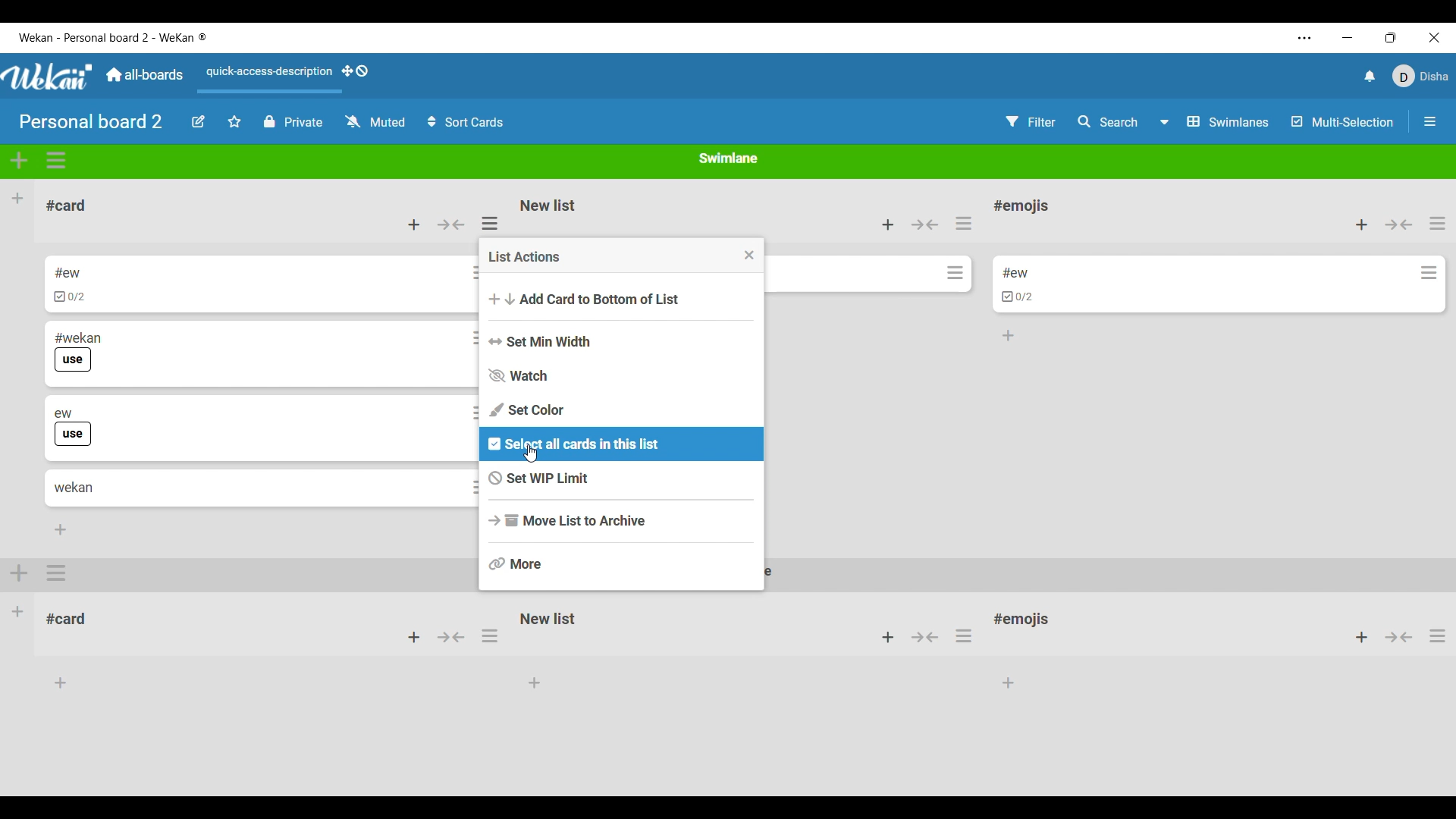  What do you see at coordinates (72, 427) in the screenshot?
I see `Card name and label` at bounding box center [72, 427].